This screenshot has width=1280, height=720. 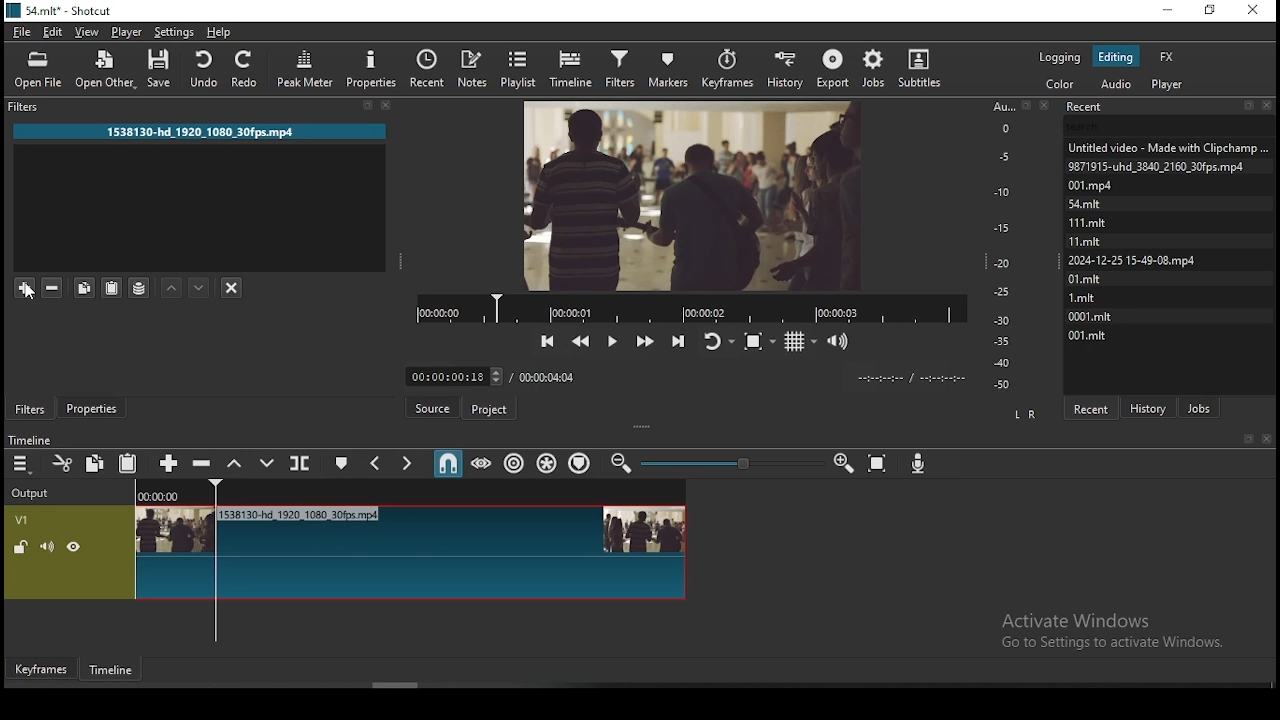 I want to click on Book mark, so click(x=1245, y=439).